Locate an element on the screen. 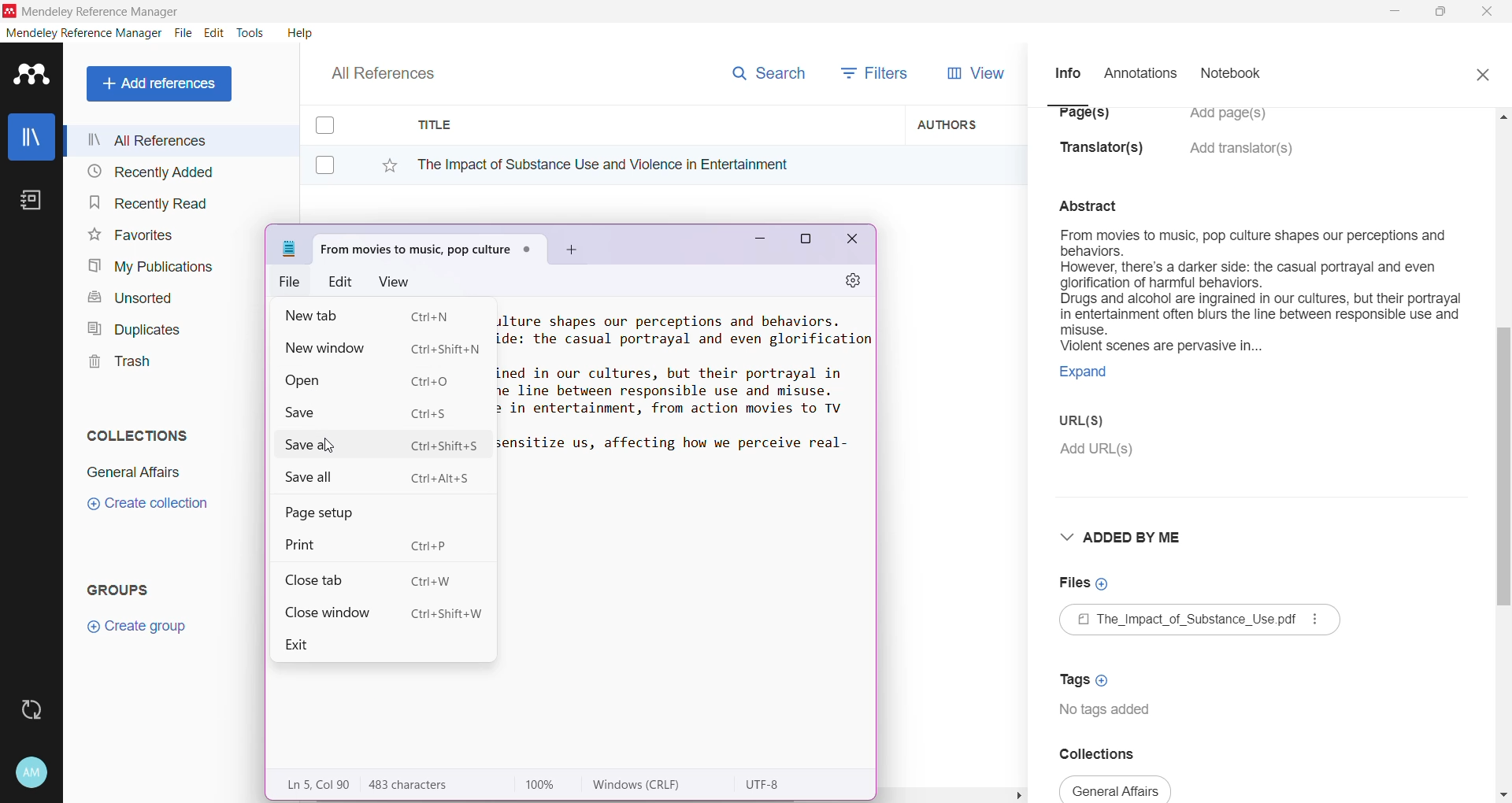 The height and width of the screenshot is (803, 1512). abstract is located at coordinates (1098, 204).